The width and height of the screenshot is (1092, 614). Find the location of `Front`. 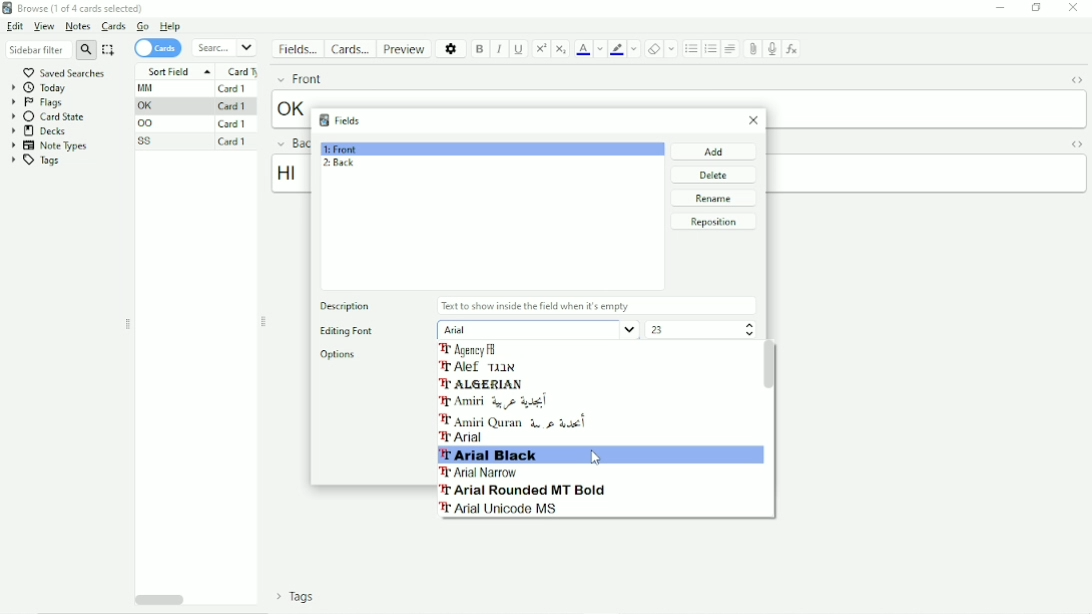

Front is located at coordinates (297, 79).